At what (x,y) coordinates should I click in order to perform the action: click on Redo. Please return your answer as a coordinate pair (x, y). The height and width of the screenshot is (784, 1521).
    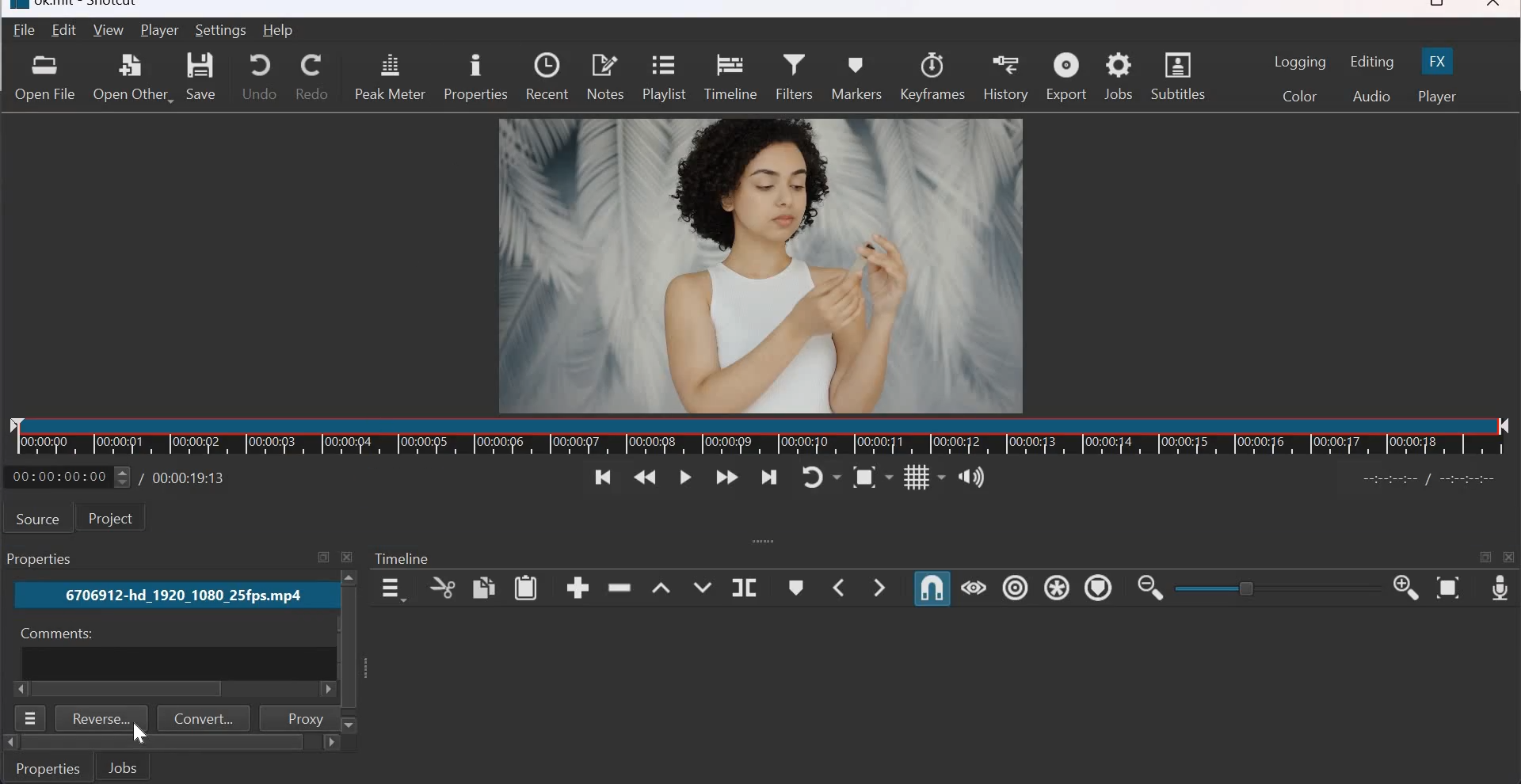
    Looking at the image, I should click on (312, 77).